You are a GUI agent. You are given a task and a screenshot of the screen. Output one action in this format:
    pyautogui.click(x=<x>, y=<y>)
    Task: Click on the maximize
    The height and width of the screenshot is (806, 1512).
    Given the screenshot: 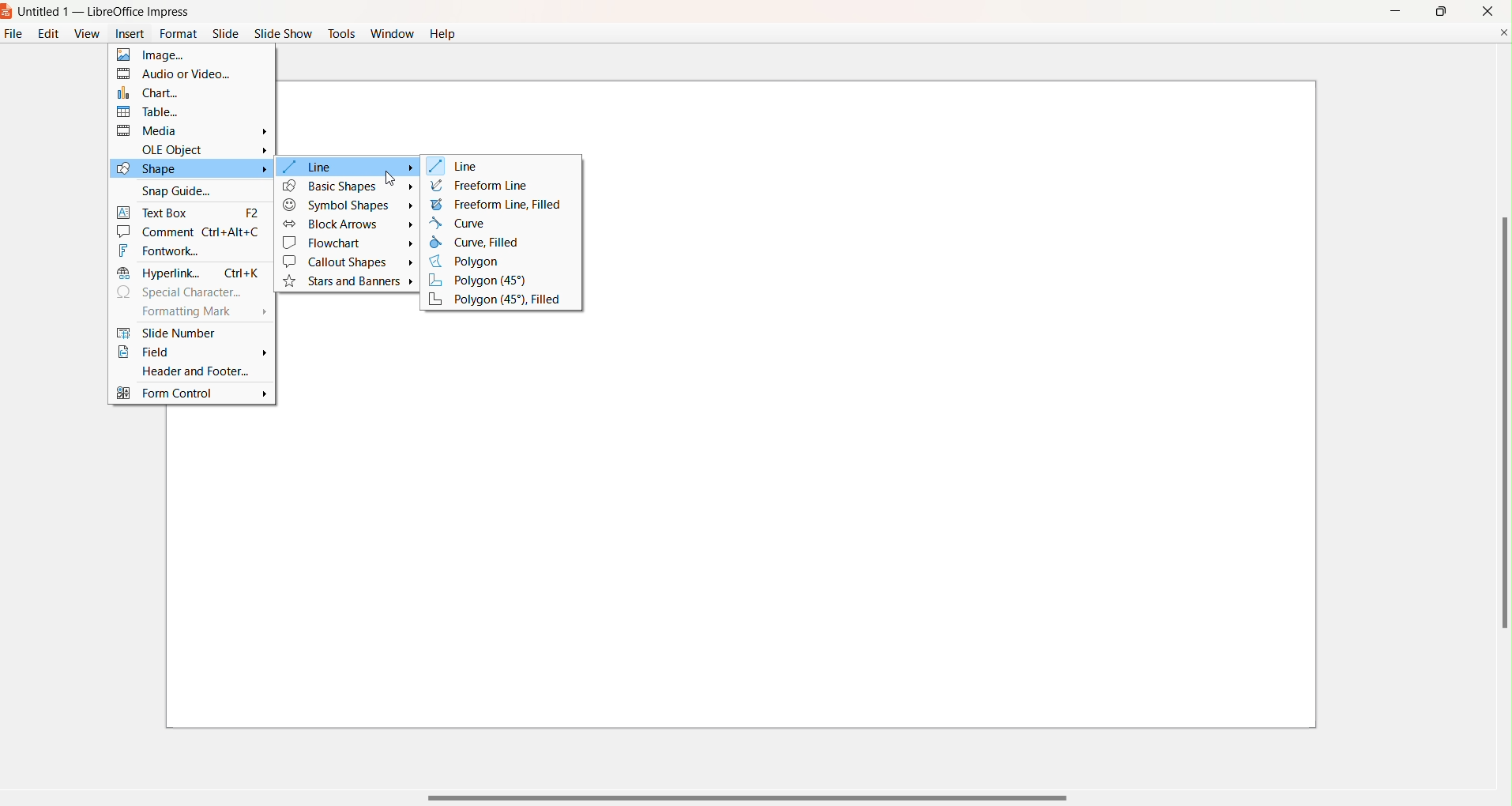 What is the action you would take?
    pyautogui.click(x=1440, y=11)
    